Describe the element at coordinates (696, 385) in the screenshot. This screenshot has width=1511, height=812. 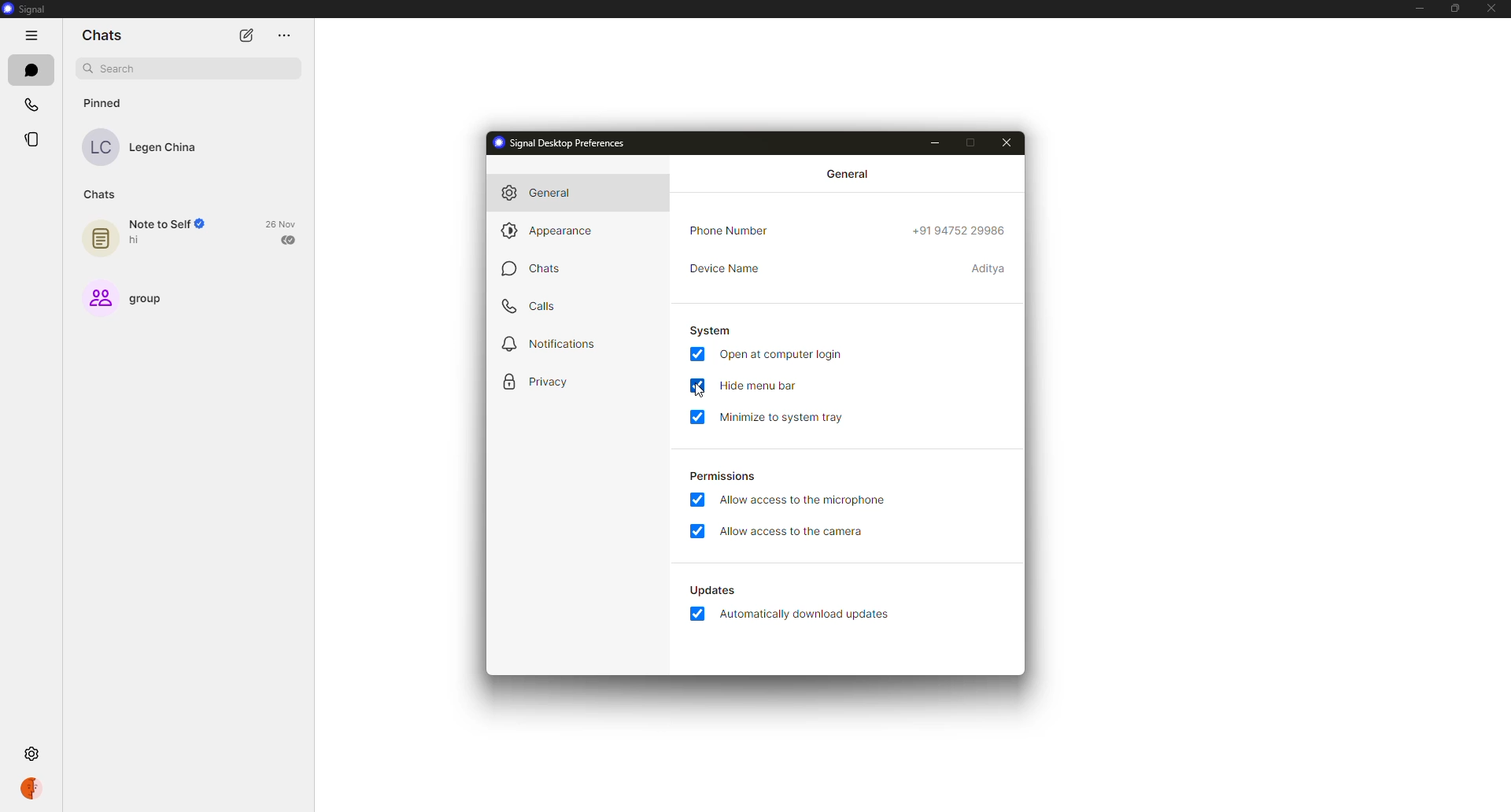
I see `enabled` at that location.